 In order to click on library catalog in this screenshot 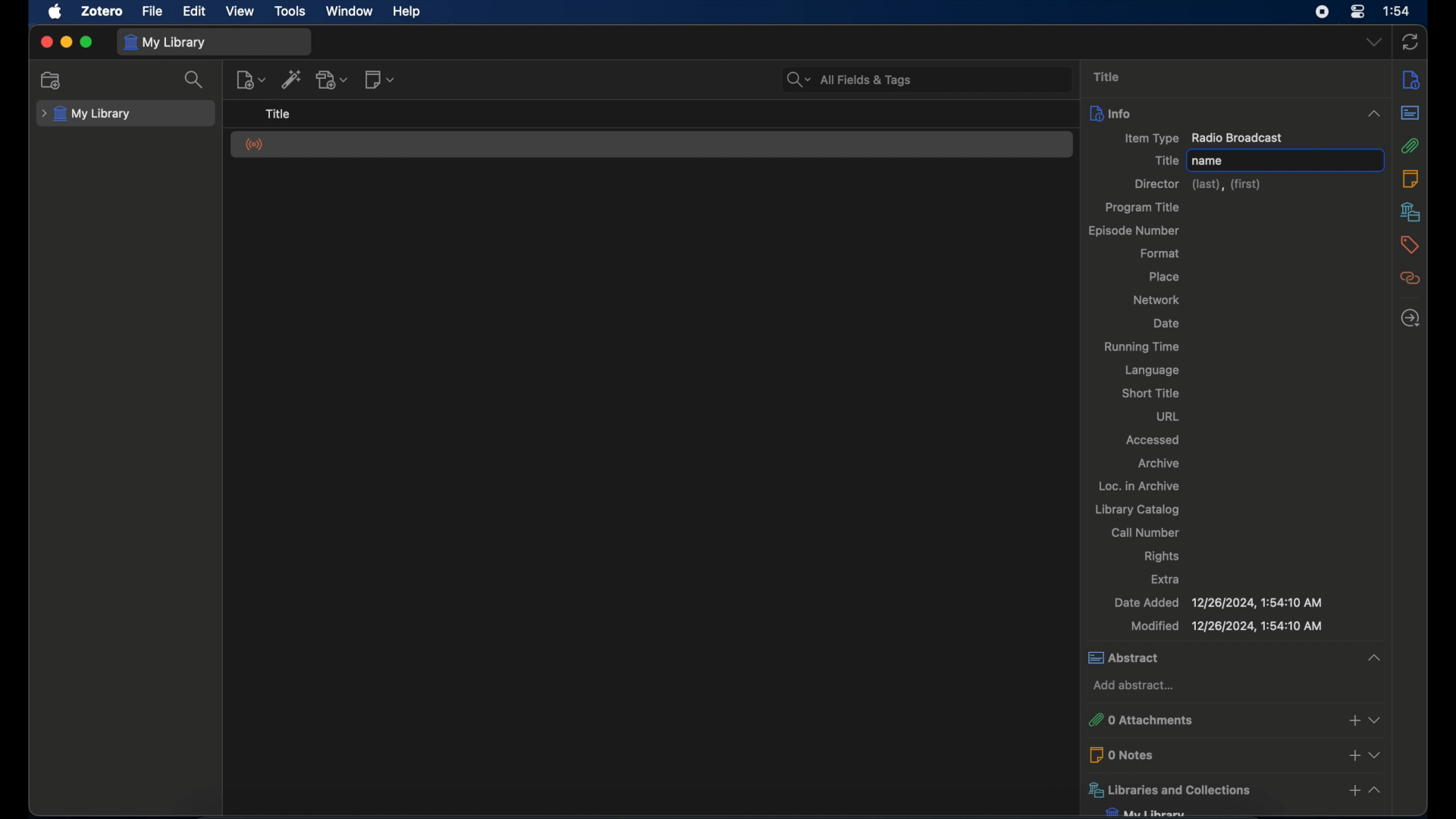, I will do `click(1137, 510)`.